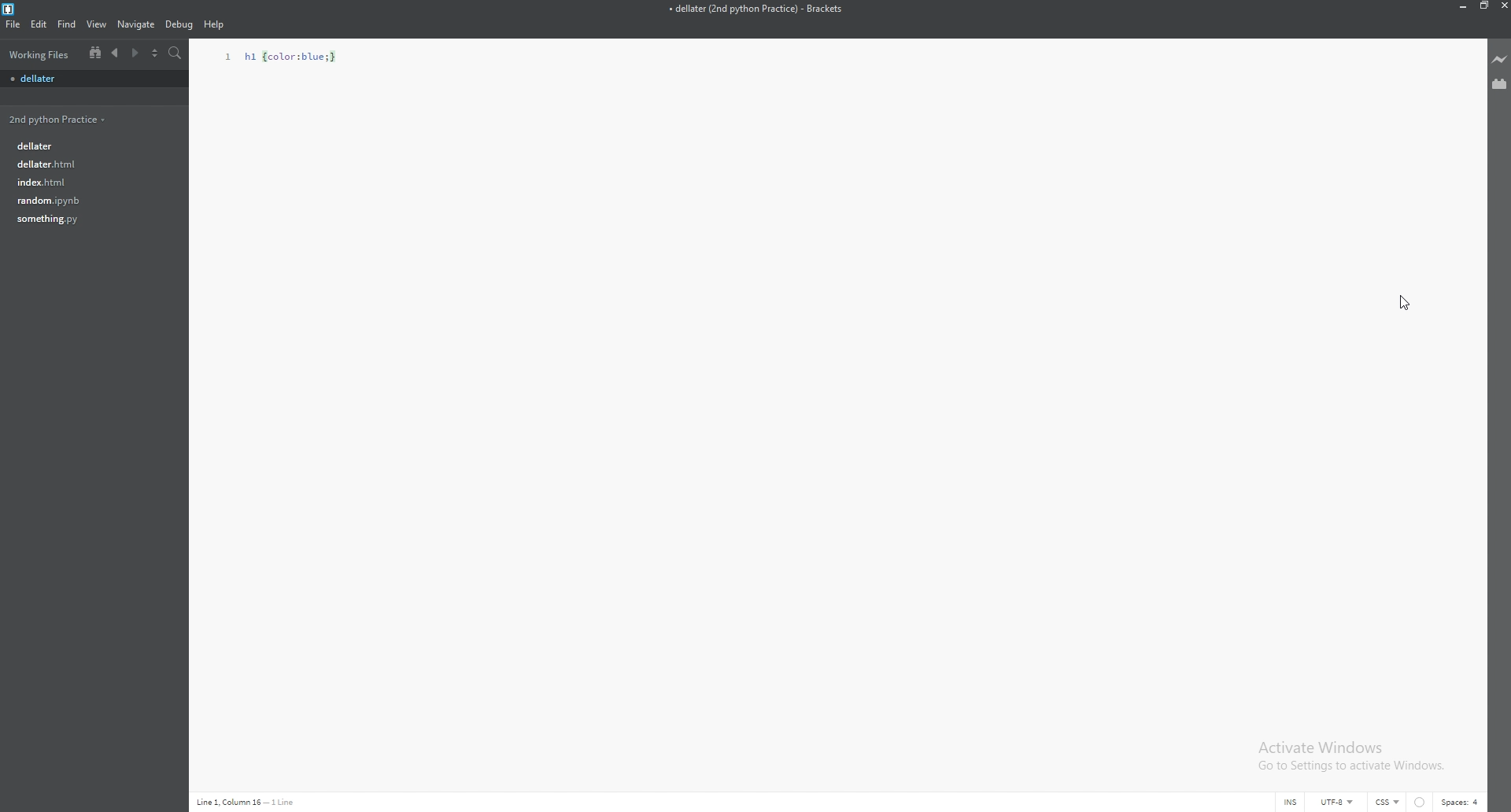 This screenshot has width=1511, height=812. Describe the element at coordinates (176, 54) in the screenshot. I see `search` at that location.